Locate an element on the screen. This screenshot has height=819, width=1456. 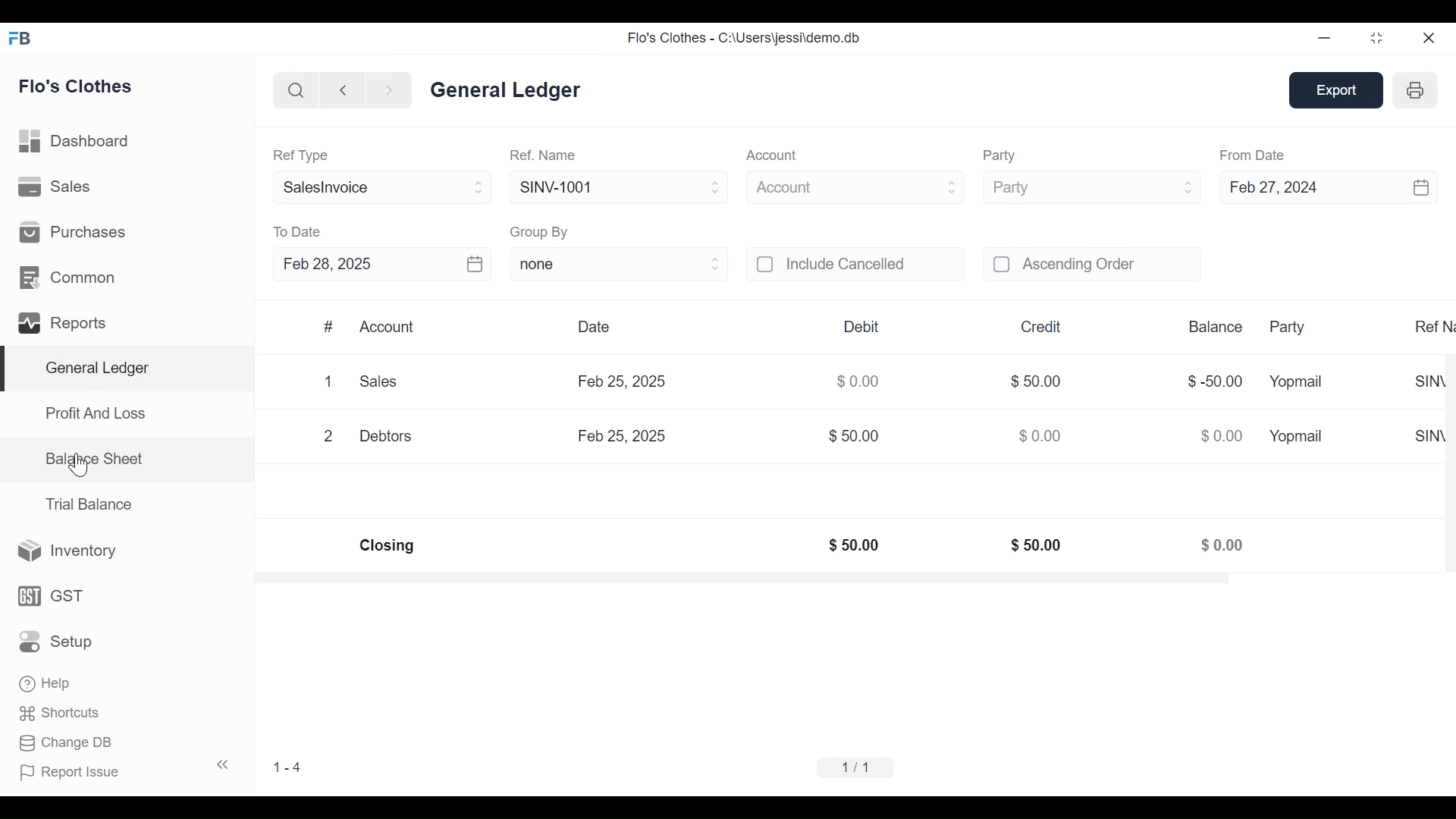
Collapse is located at coordinates (223, 764).